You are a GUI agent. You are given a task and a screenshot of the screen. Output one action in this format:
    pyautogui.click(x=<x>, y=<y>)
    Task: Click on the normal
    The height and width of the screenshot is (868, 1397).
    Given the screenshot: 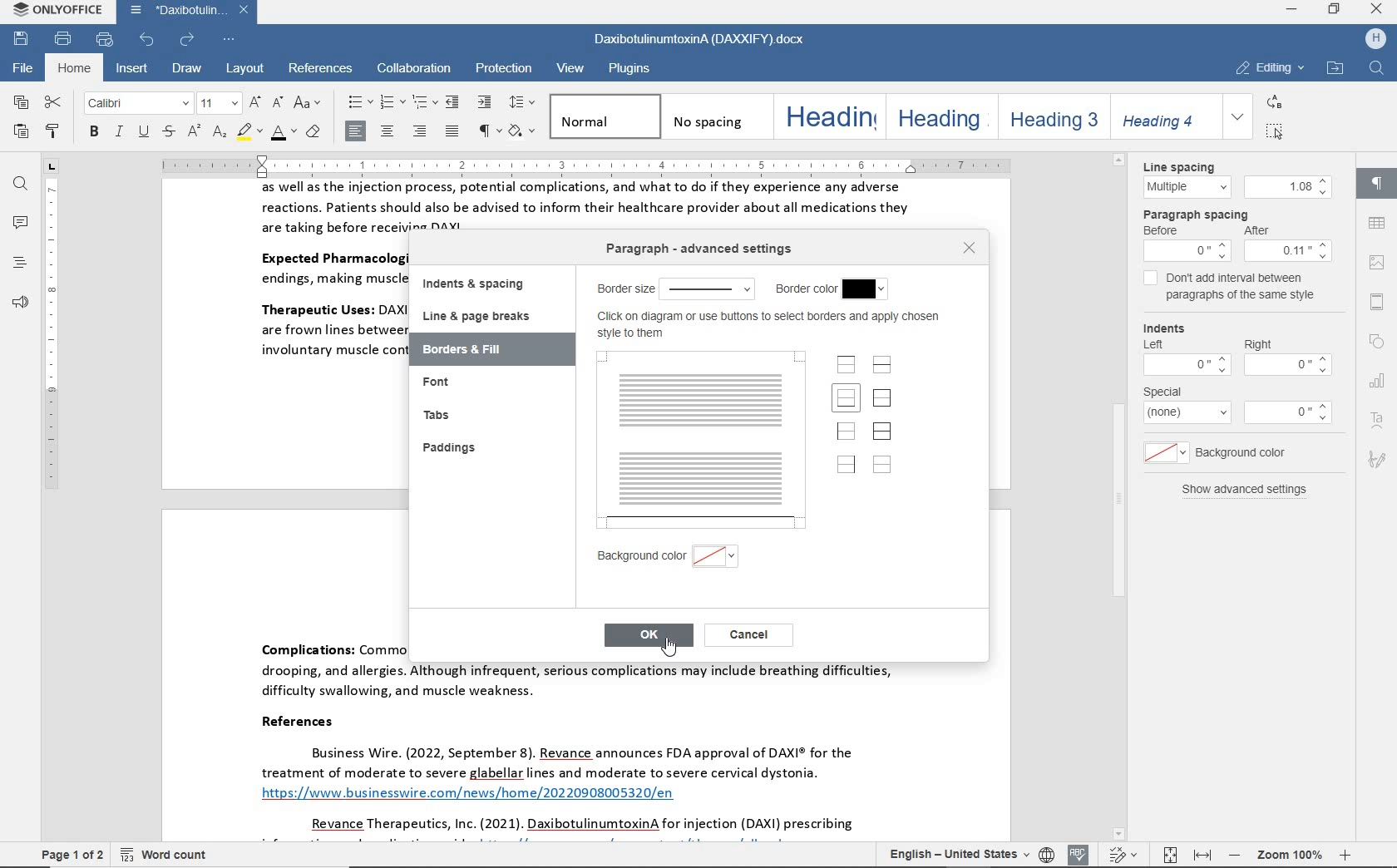 What is the action you would take?
    pyautogui.click(x=603, y=116)
    